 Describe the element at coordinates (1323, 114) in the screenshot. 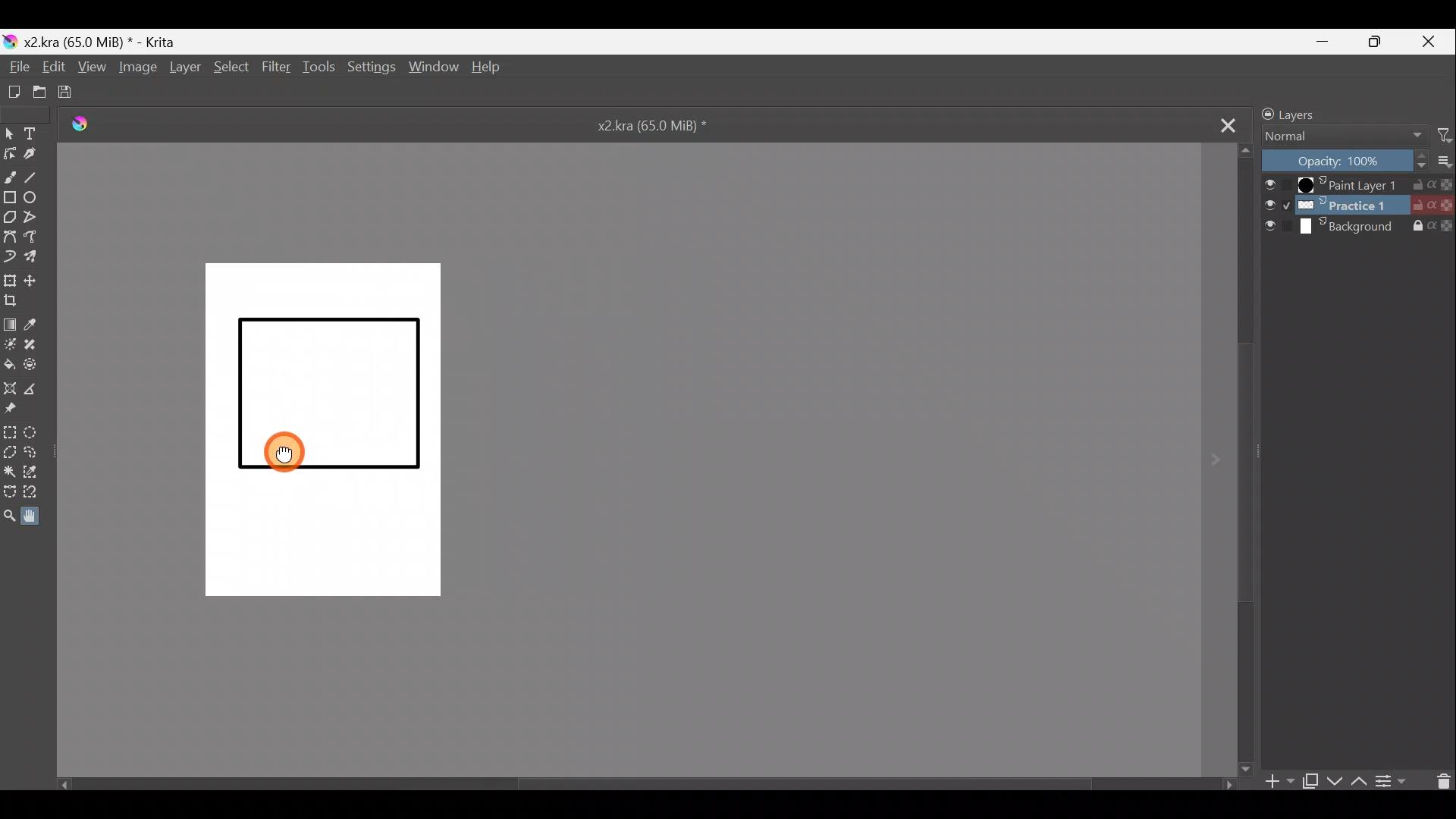

I see `Layers` at that location.